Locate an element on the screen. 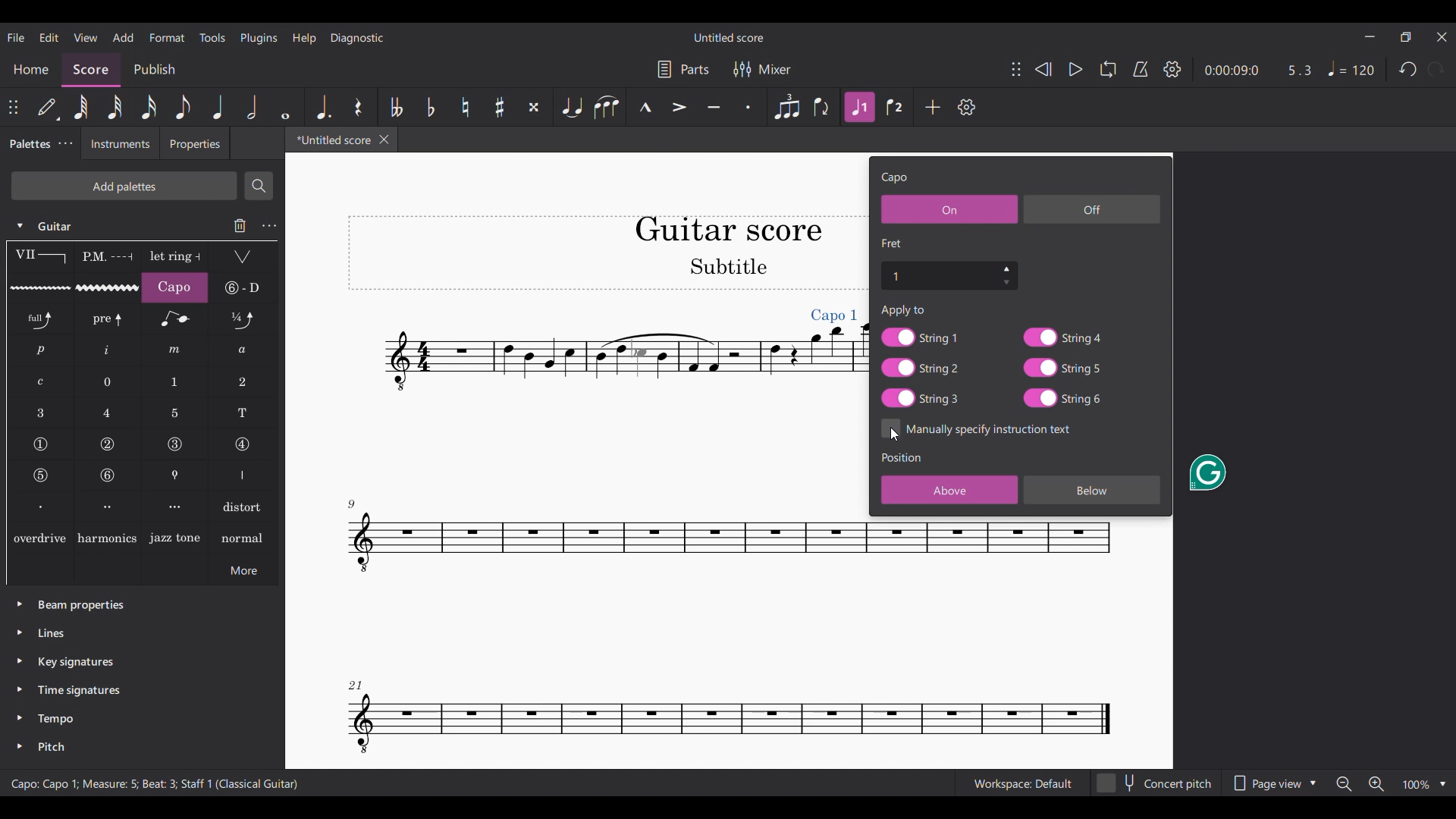  Distort is located at coordinates (244, 506).